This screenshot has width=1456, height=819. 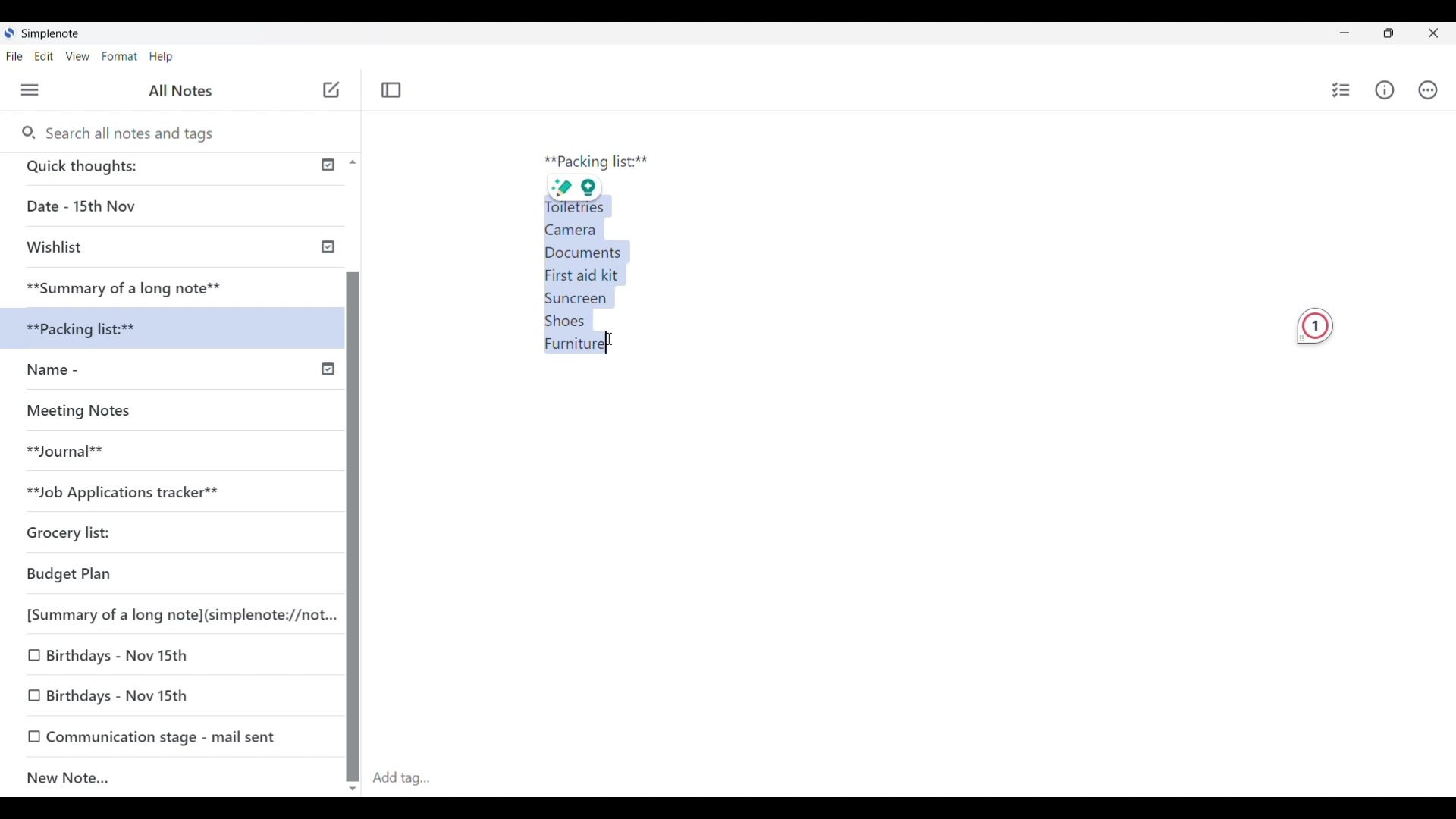 What do you see at coordinates (1385, 90) in the screenshot?
I see `Info` at bounding box center [1385, 90].